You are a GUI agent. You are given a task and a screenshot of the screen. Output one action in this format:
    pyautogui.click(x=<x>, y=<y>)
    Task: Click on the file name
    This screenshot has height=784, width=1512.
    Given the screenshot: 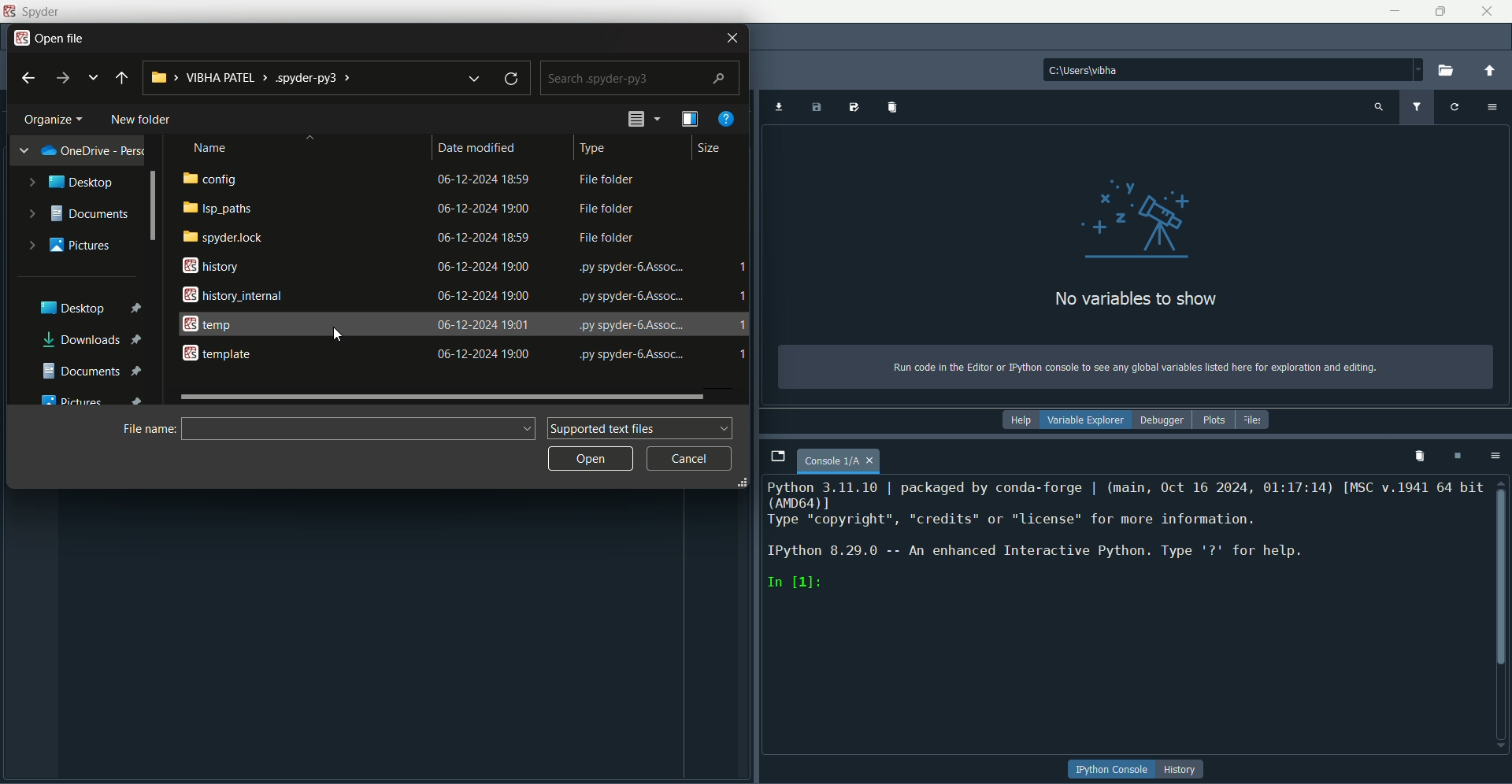 What is the action you would take?
    pyautogui.click(x=149, y=427)
    